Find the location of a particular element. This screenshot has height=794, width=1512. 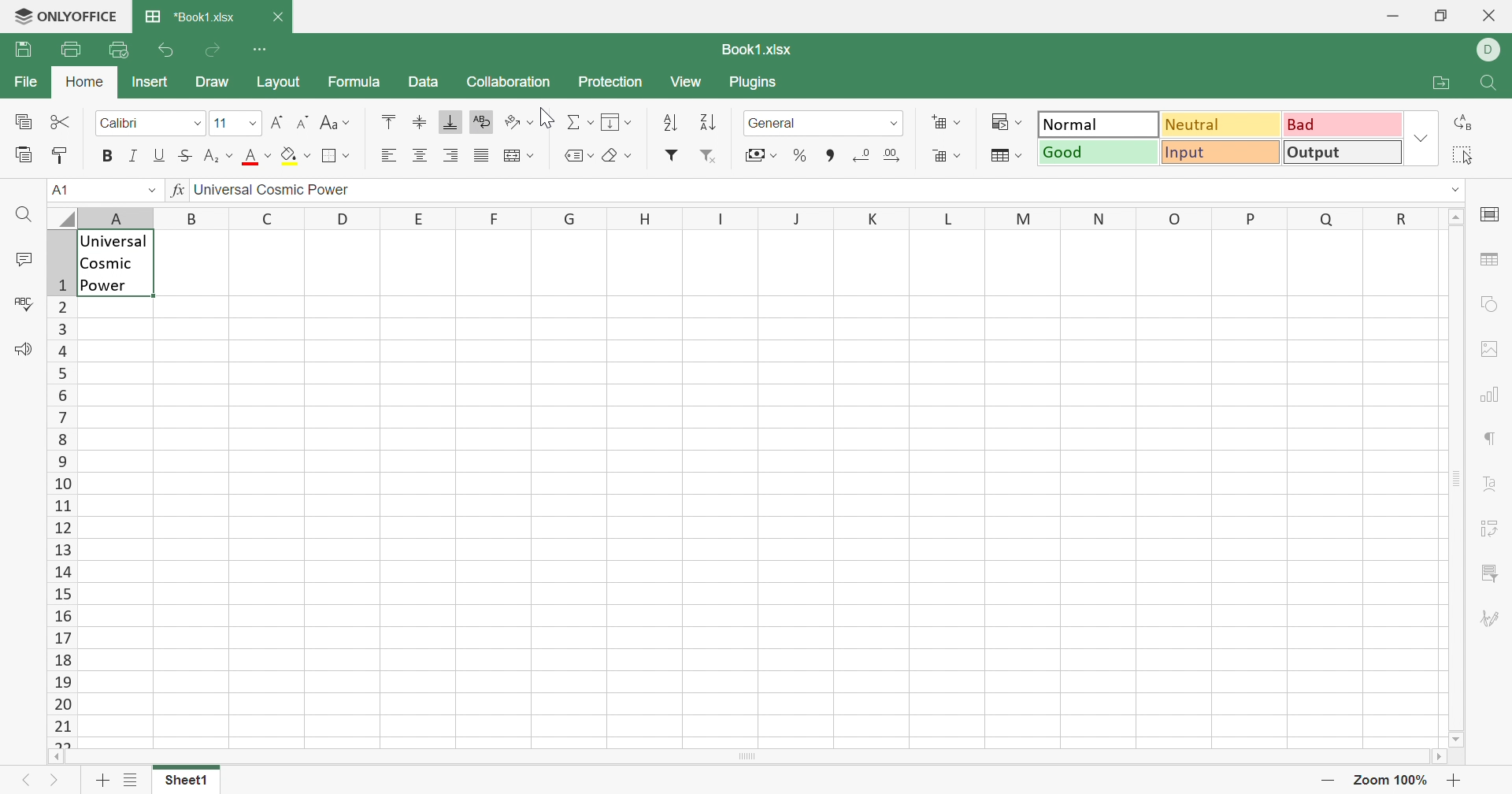

Merge and center is located at coordinates (523, 157).